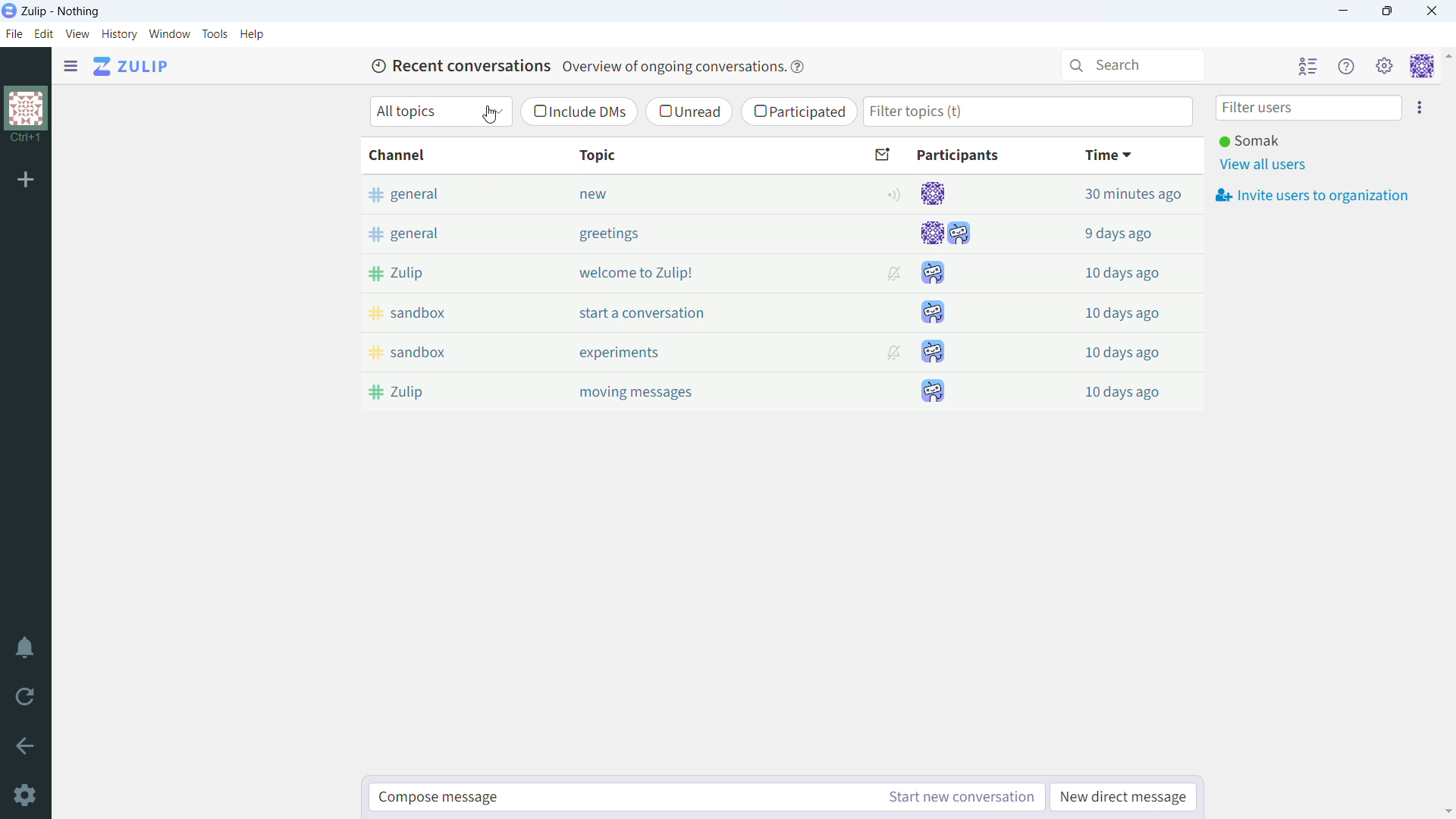 Image resolution: width=1456 pixels, height=819 pixels. Describe the element at coordinates (1124, 313) in the screenshot. I see `10 days ago` at that location.